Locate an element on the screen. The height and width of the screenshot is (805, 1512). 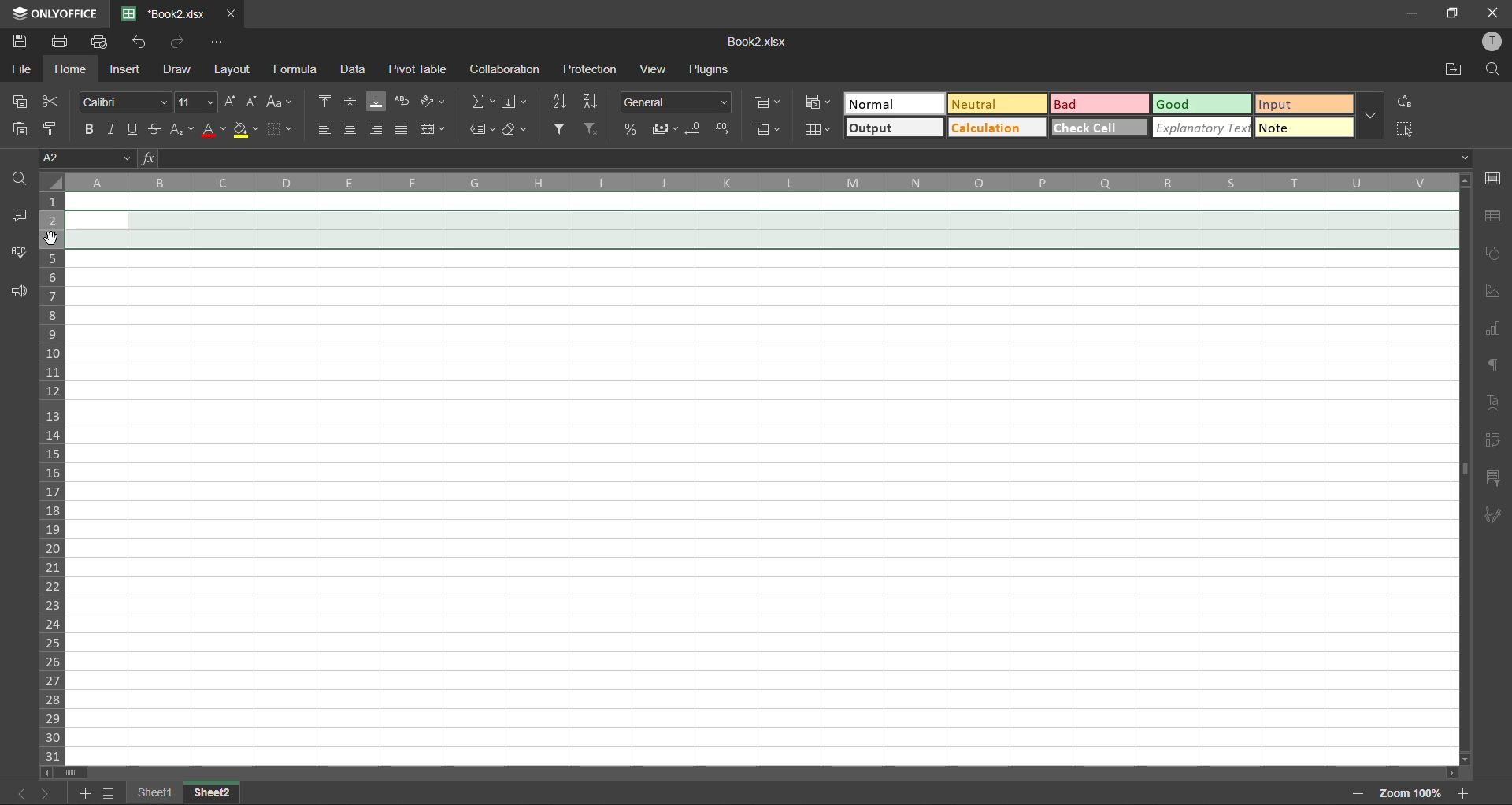
customize quick access toolbar is located at coordinates (217, 42).